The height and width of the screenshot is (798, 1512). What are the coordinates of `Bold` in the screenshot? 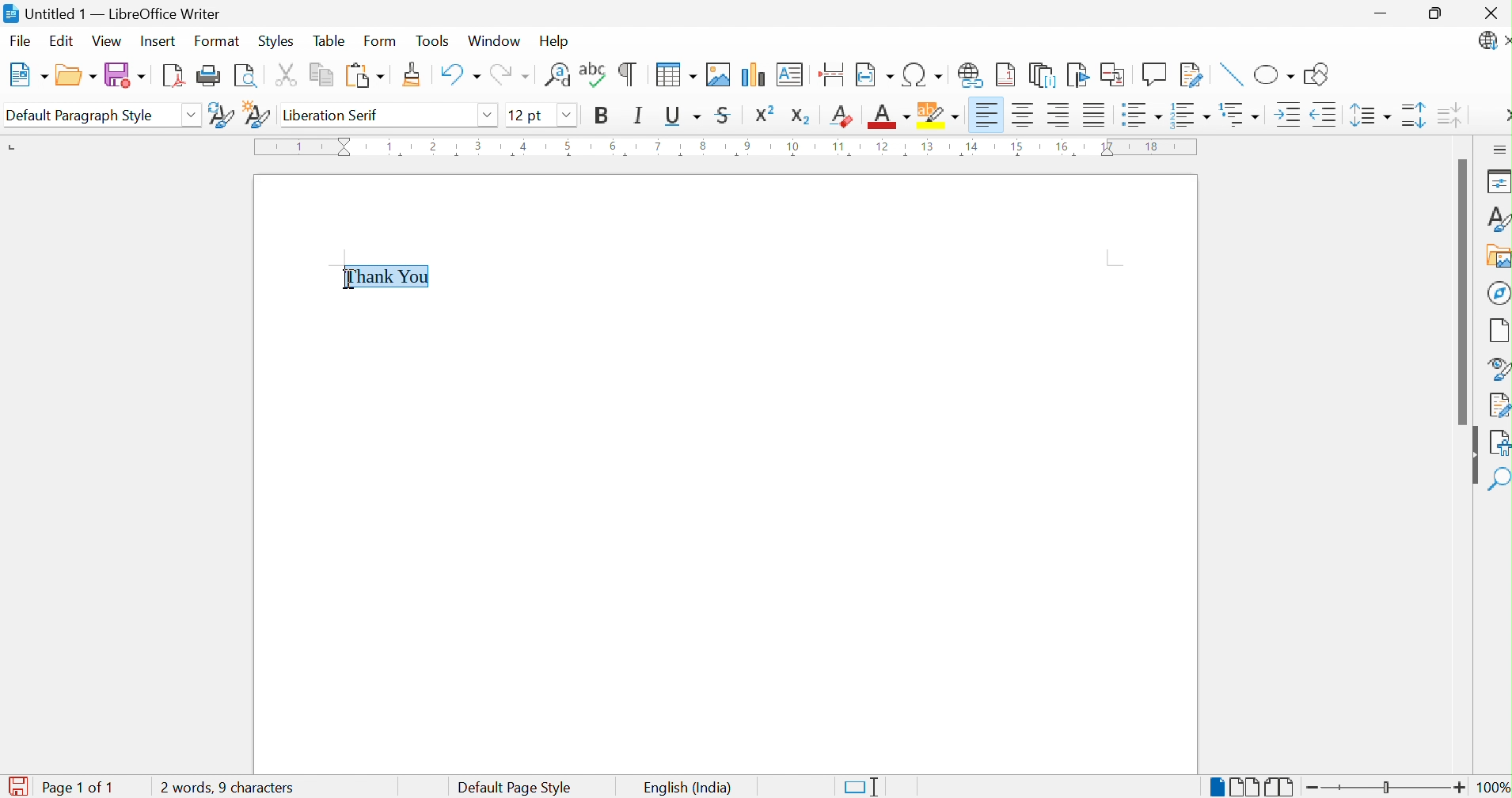 It's located at (602, 113).